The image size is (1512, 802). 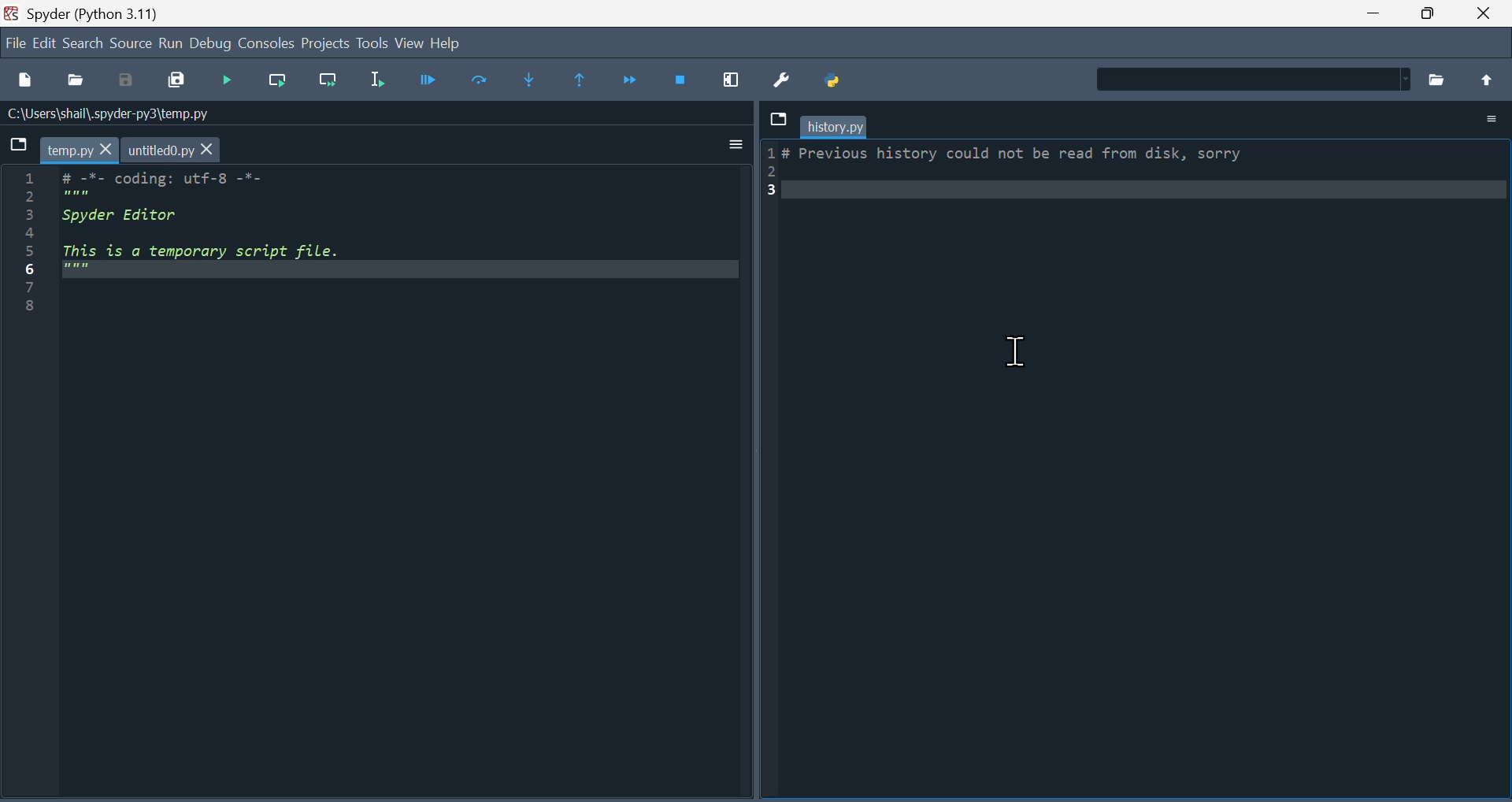 I want to click on Search, so click(x=83, y=45).